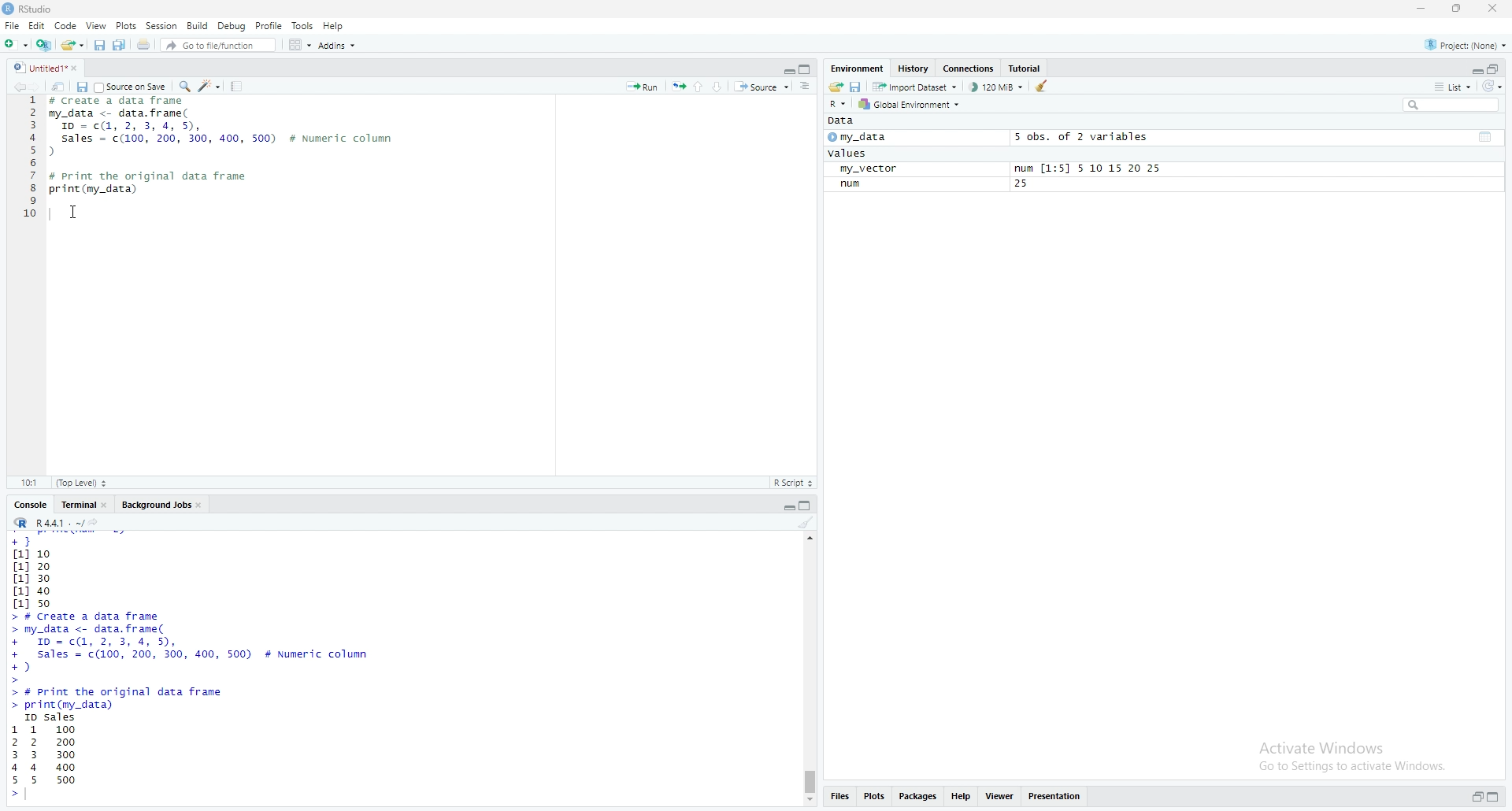  What do you see at coordinates (38, 571) in the screenshot?
I see `numerical data` at bounding box center [38, 571].